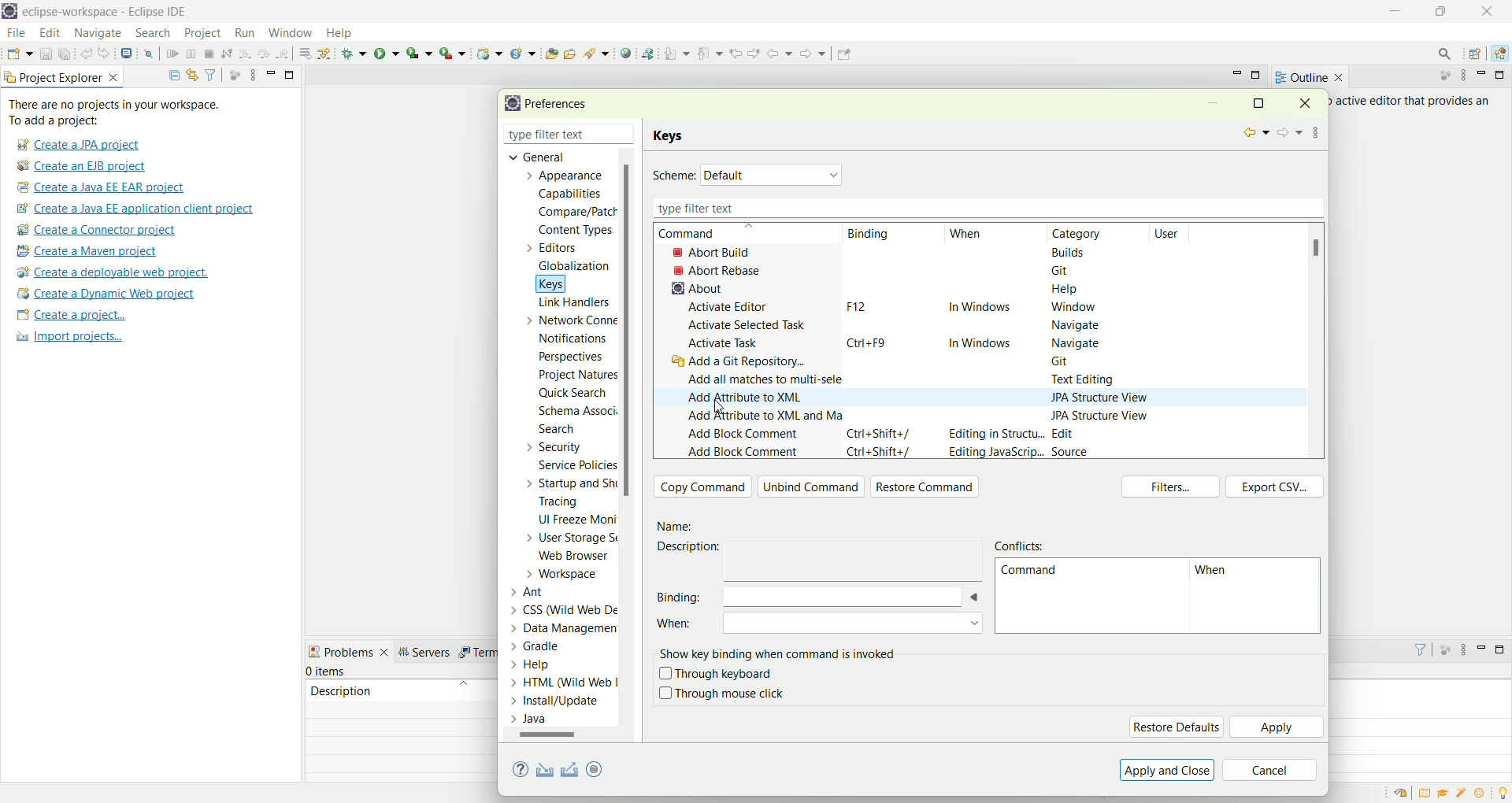 The image size is (1512, 803). I want to click on open web browser, so click(626, 54).